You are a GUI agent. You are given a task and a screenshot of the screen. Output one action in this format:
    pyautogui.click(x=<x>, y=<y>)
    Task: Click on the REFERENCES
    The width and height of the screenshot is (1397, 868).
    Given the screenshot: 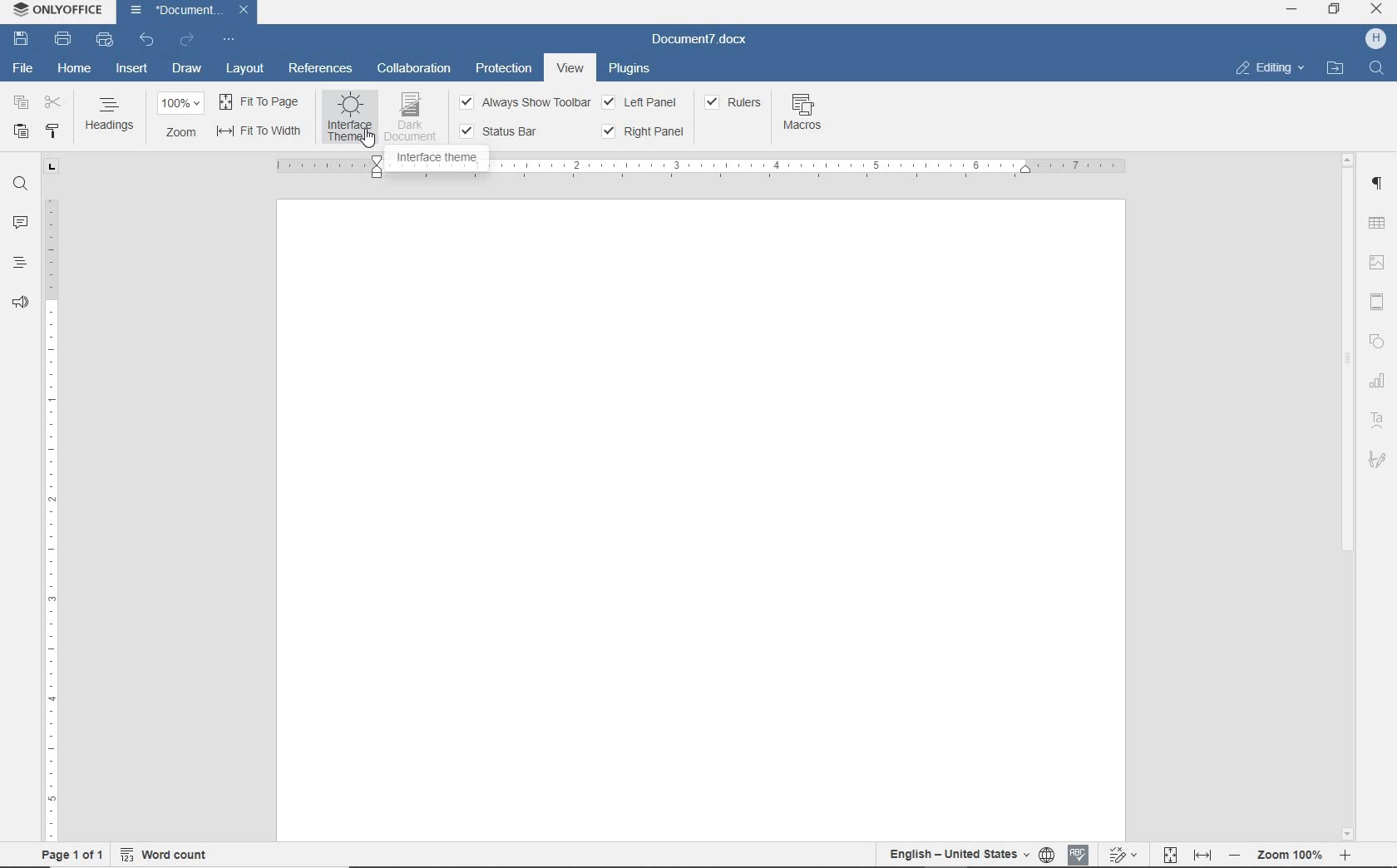 What is the action you would take?
    pyautogui.click(x=321, y=67)
    